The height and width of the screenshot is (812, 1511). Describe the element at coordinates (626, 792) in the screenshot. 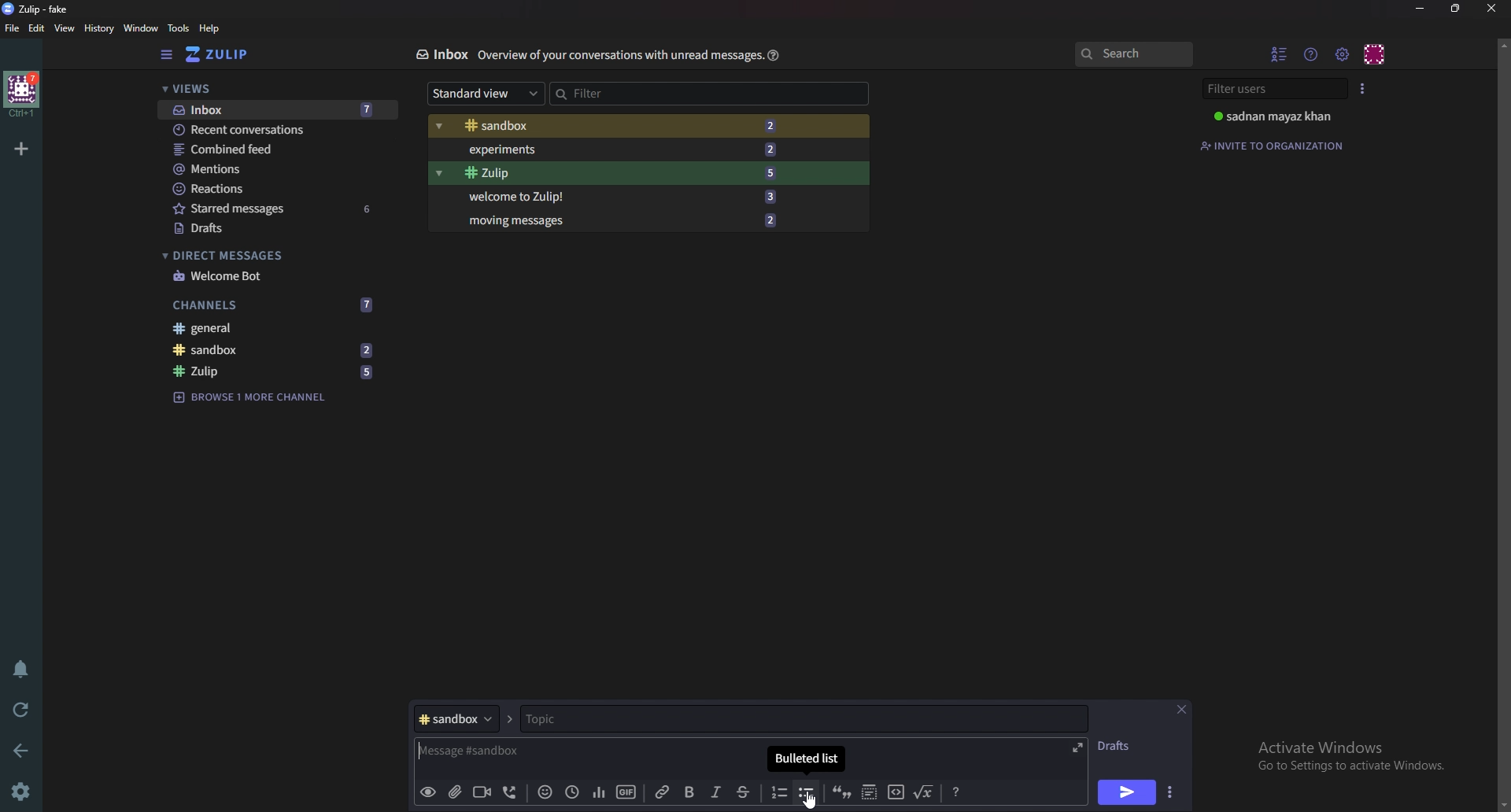

I see `gif` at that location.